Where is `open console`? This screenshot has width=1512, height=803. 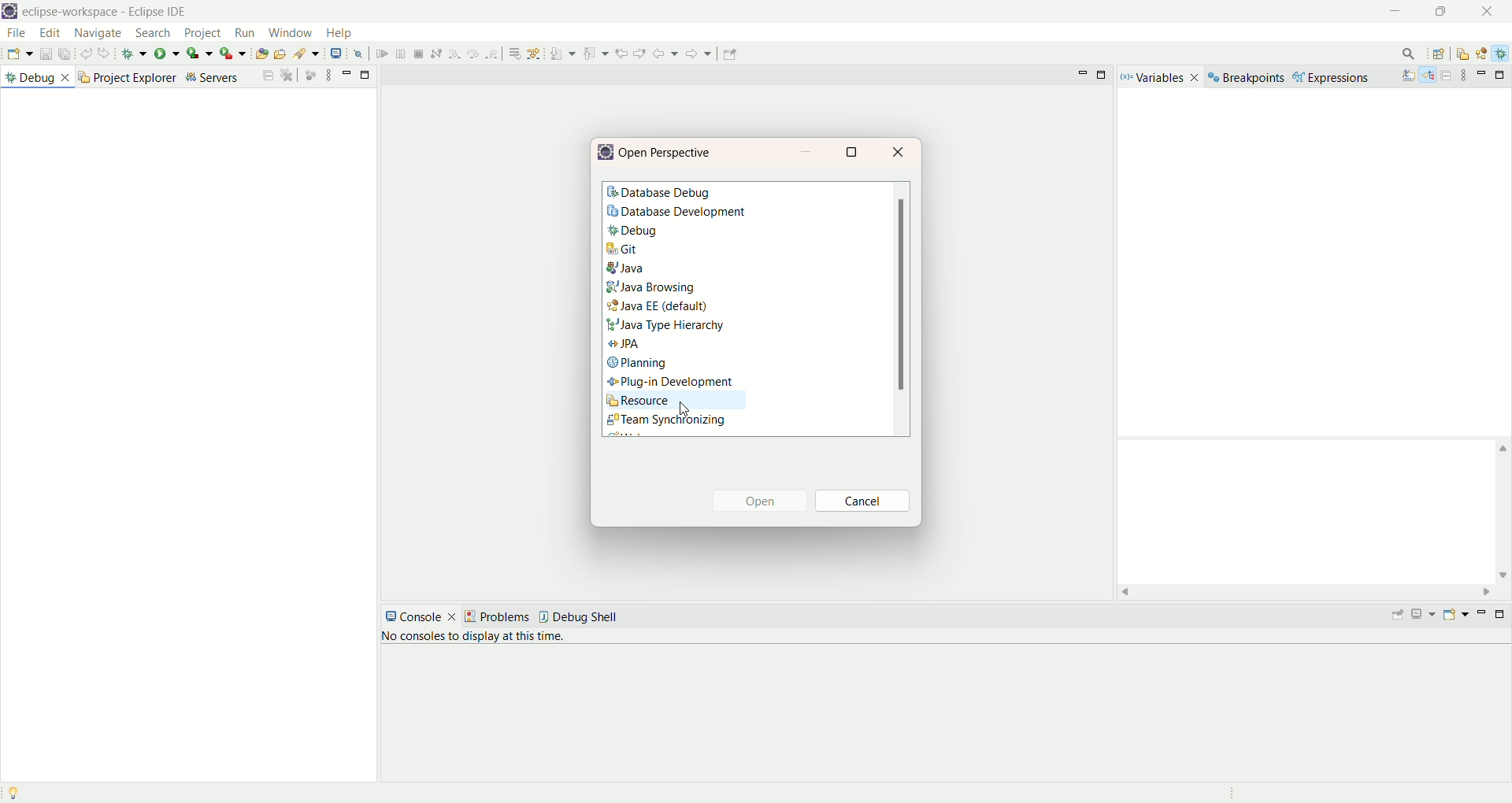 open console is located at coordinates (1455, 614).